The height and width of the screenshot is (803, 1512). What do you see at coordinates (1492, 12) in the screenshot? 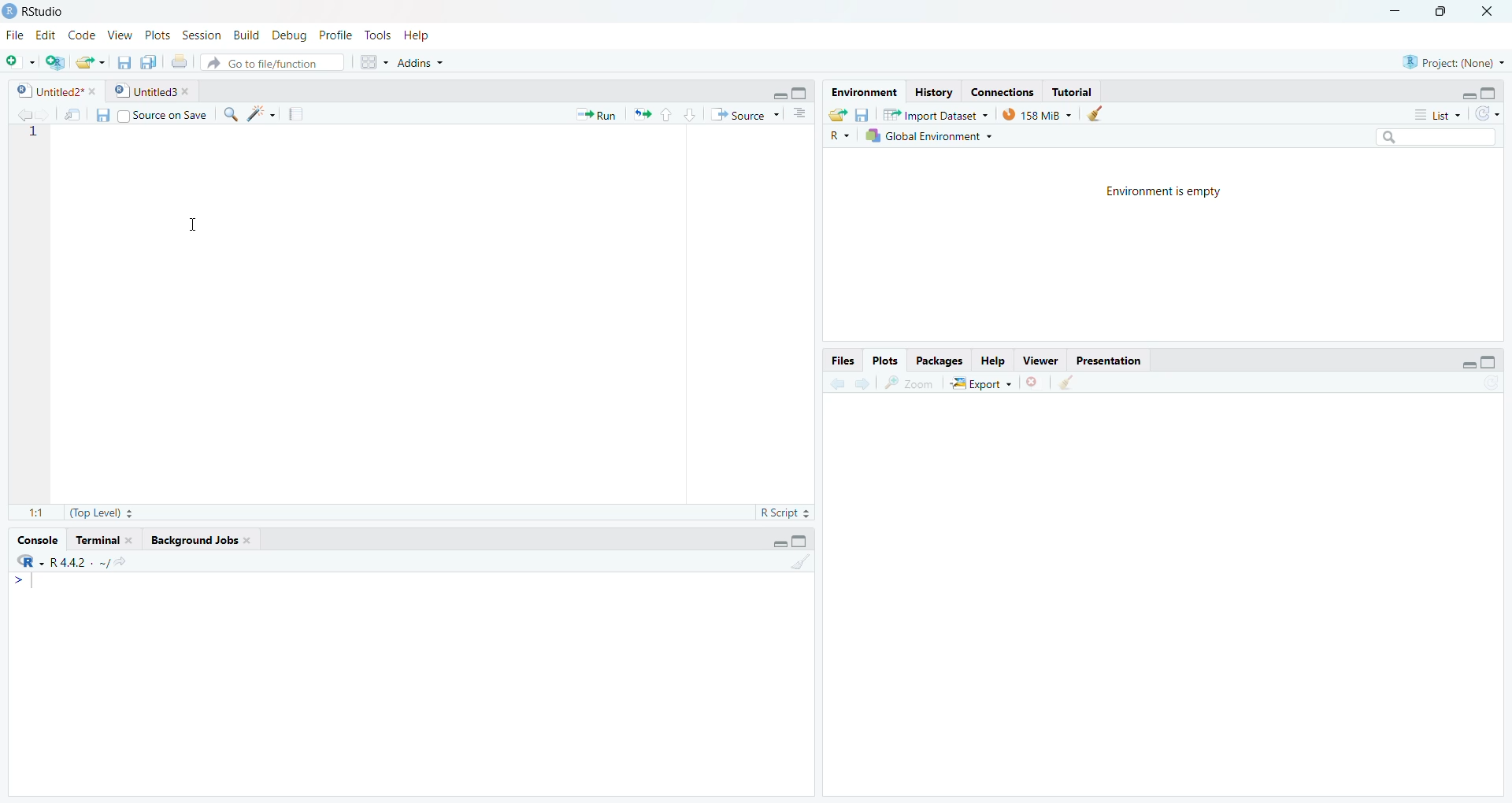
I see `close` at bounding box center [1492, 12].